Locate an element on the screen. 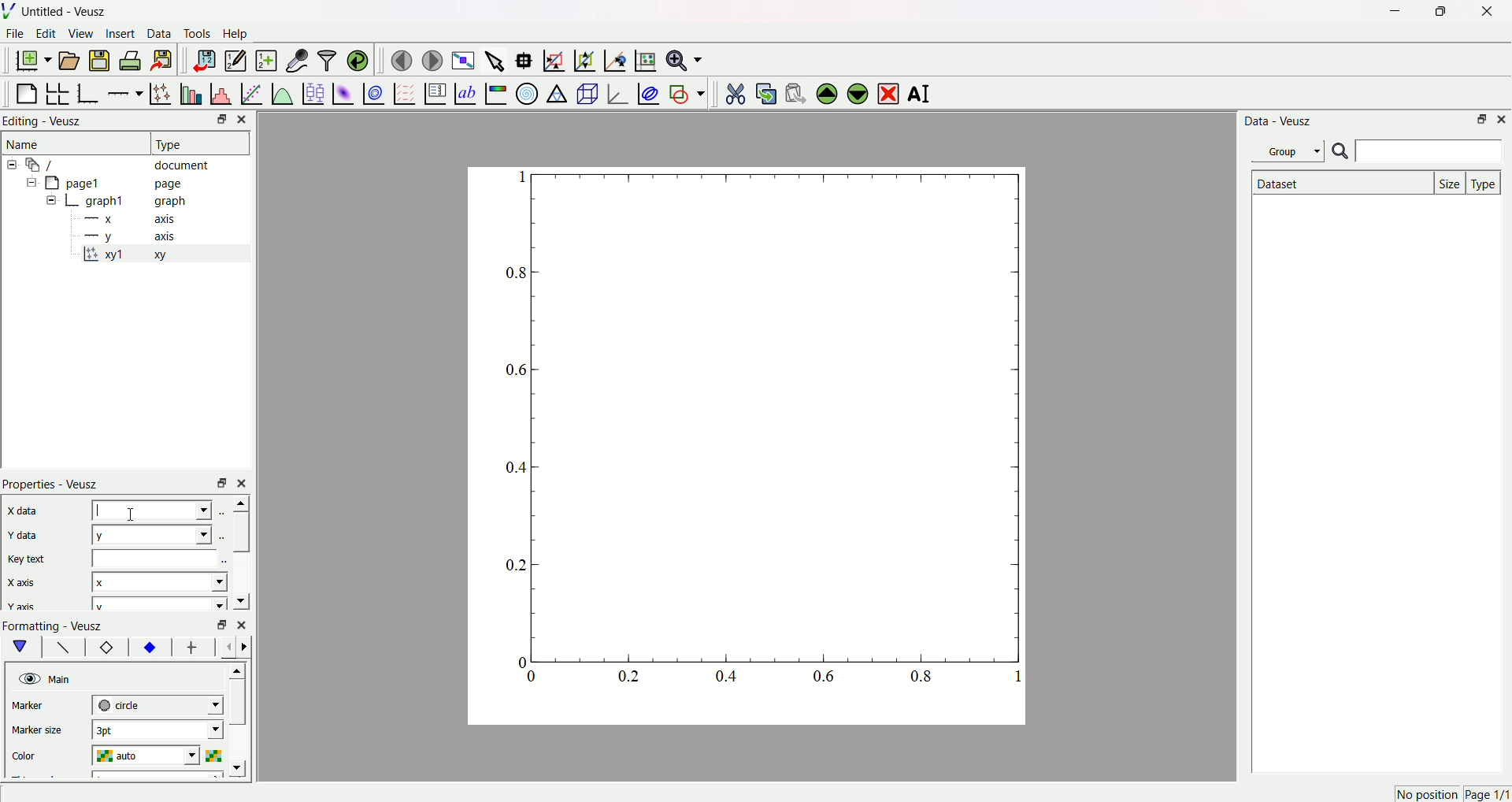  Group is located at coordinates (1291, 150).